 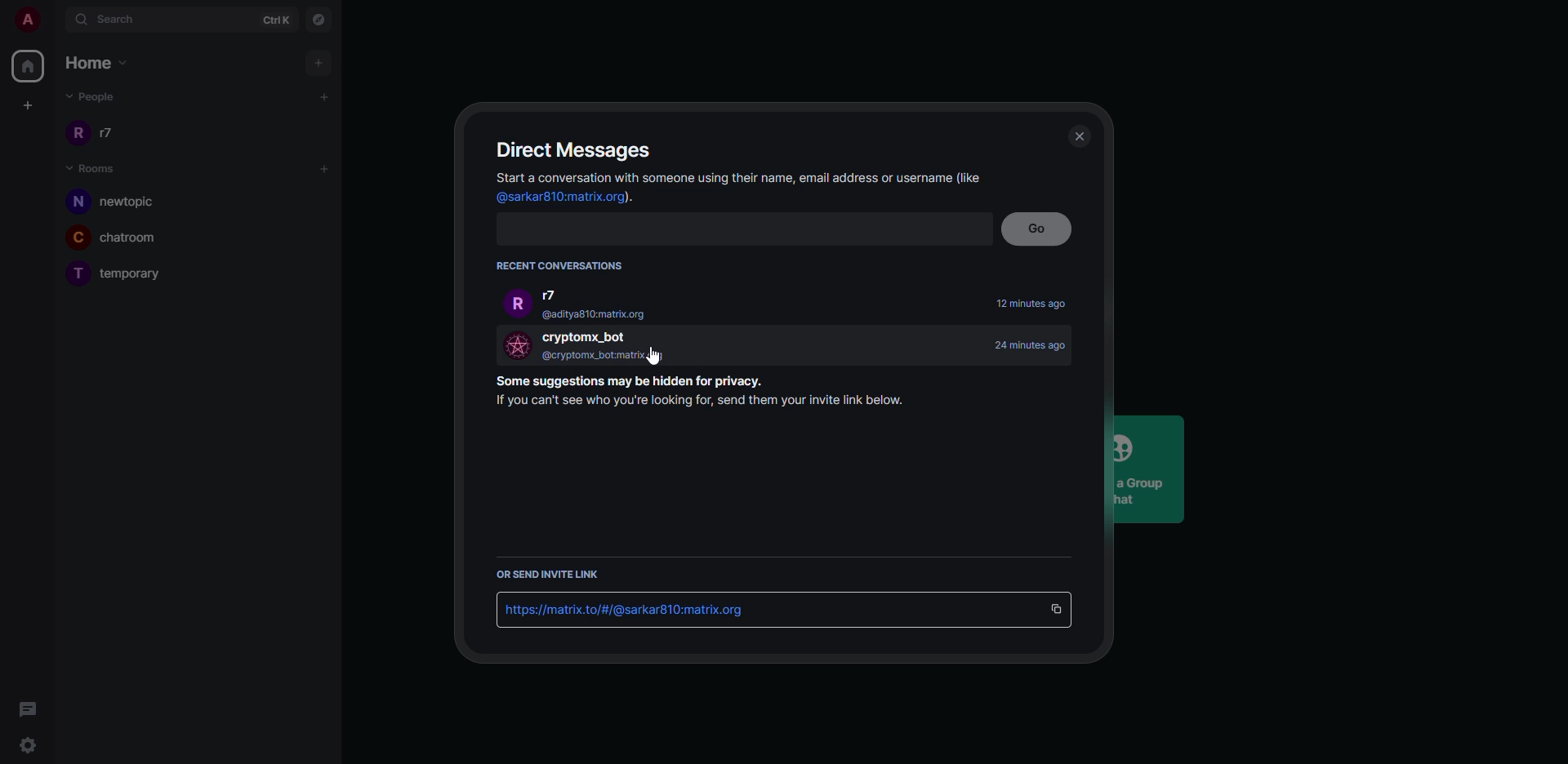 I want to click on @cryptomx_bot:matrix, so click(x=599, y=357).